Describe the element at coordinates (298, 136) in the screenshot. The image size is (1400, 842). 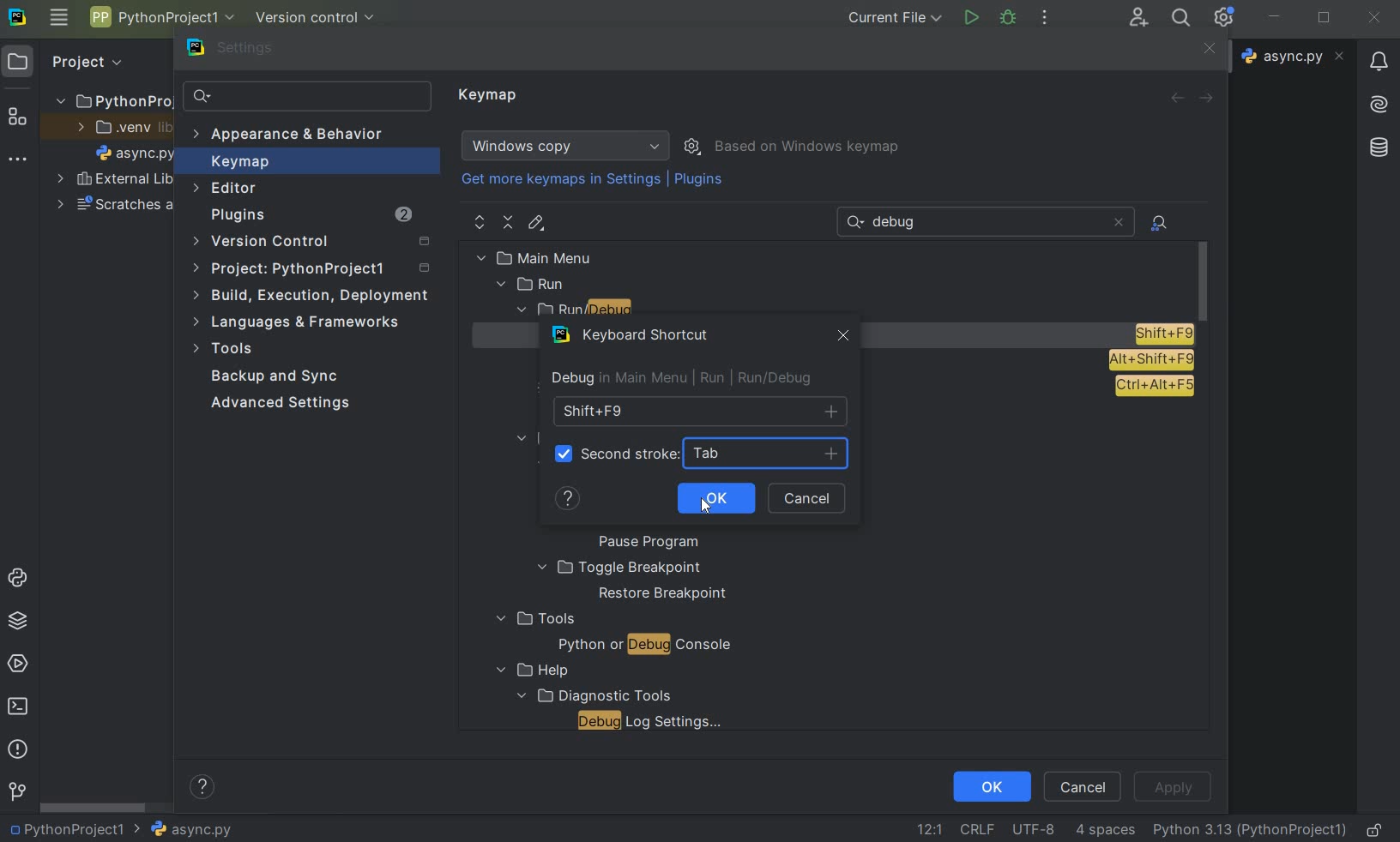
I see `appearance & behavior` at that location.